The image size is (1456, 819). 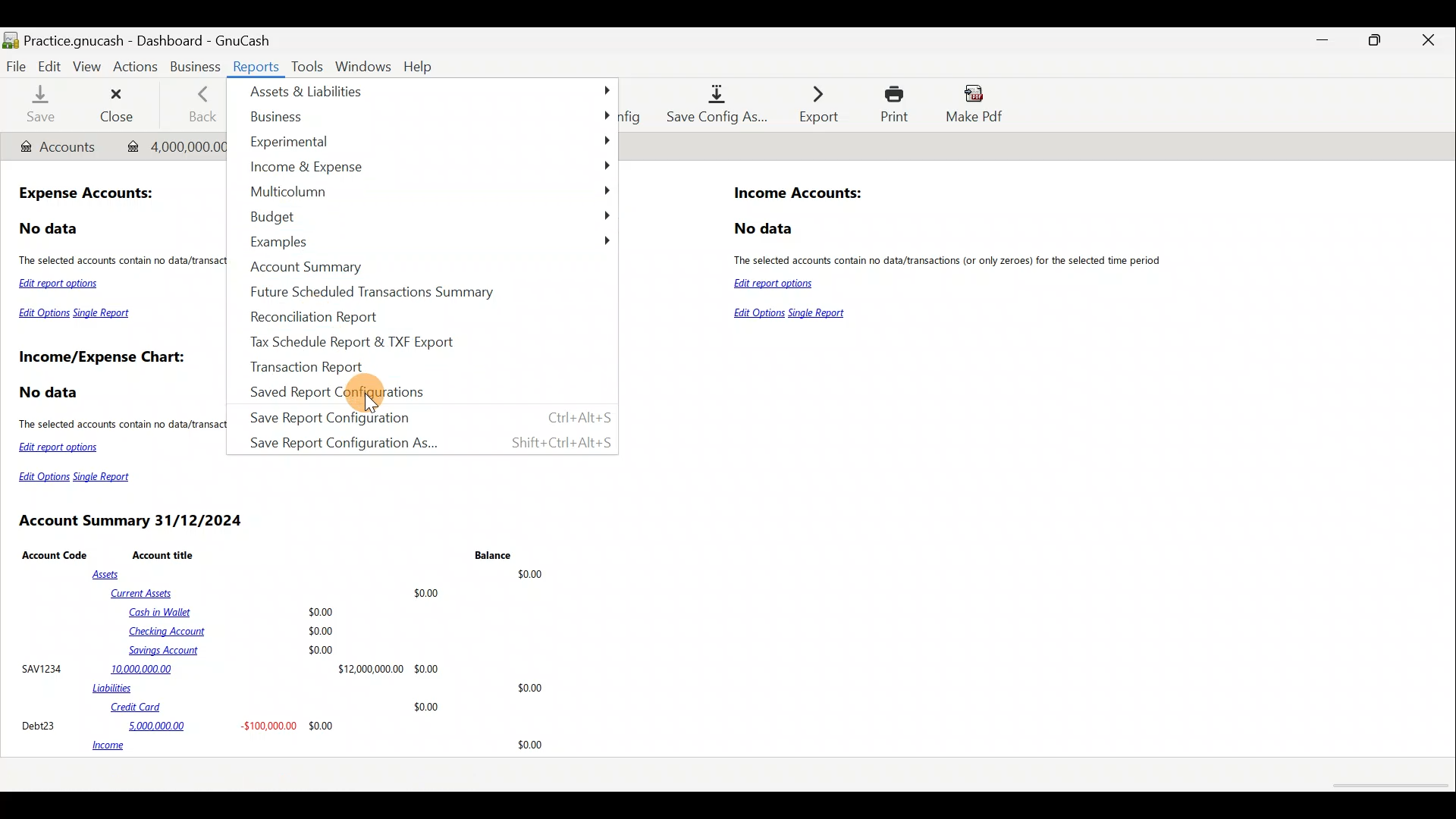 I want to click on Maximise, so click(x=1378, y=45).